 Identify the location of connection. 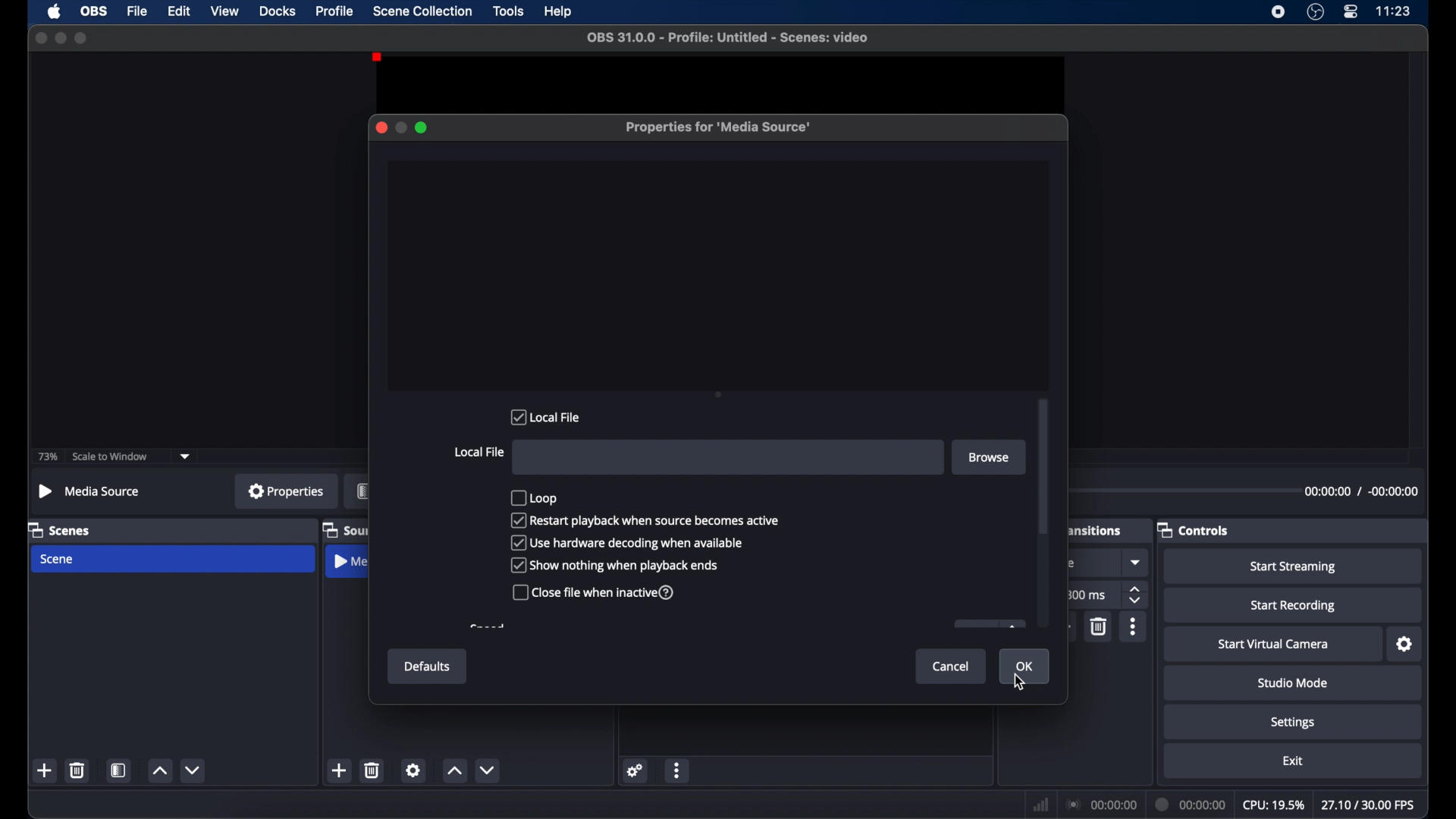
(1103, 805).